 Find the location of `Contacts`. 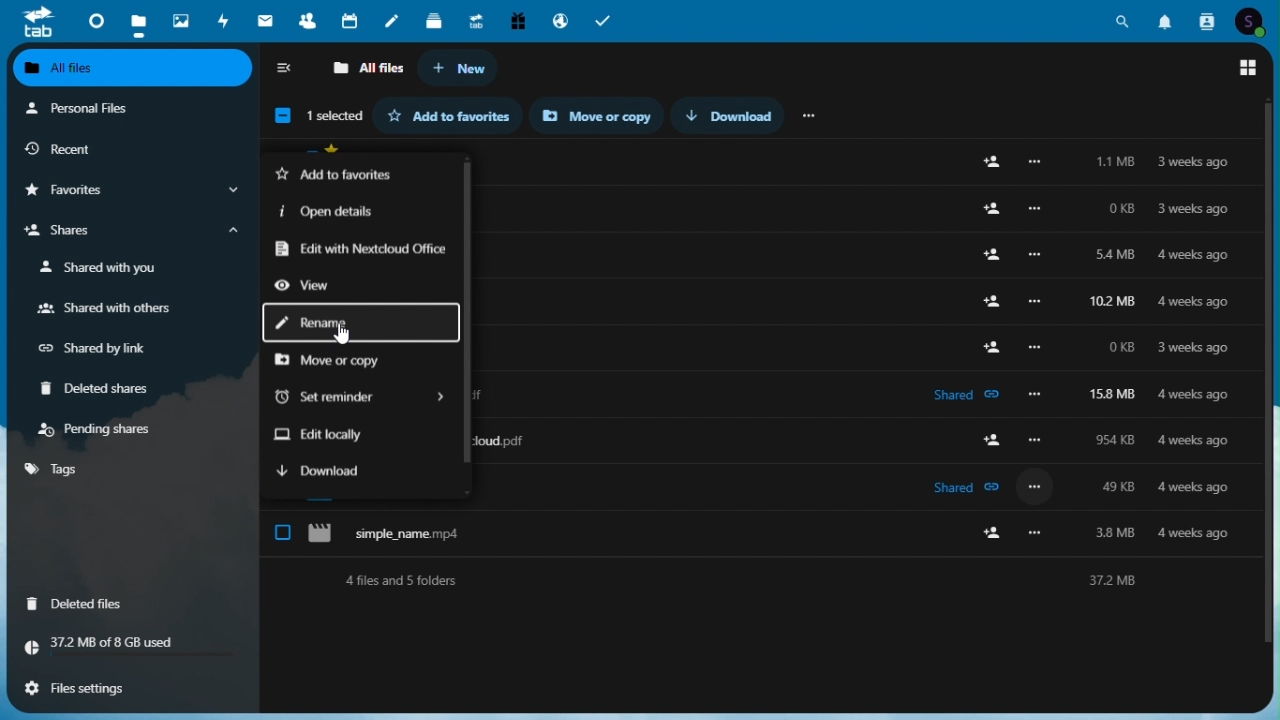

Contacts is located at coordinates (1208, 19).